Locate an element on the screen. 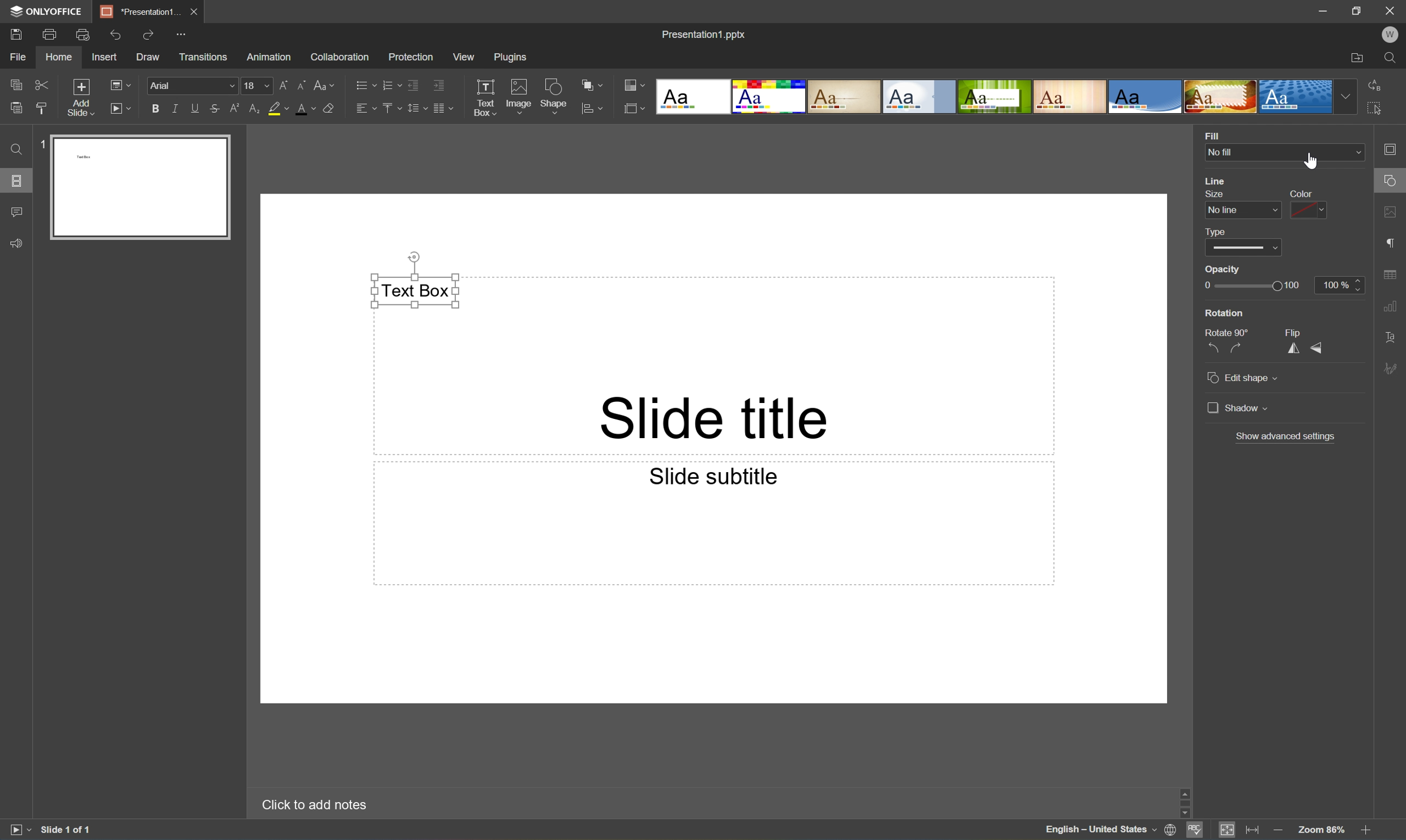  Scroll Bar is located at coordinates (1368, 800).